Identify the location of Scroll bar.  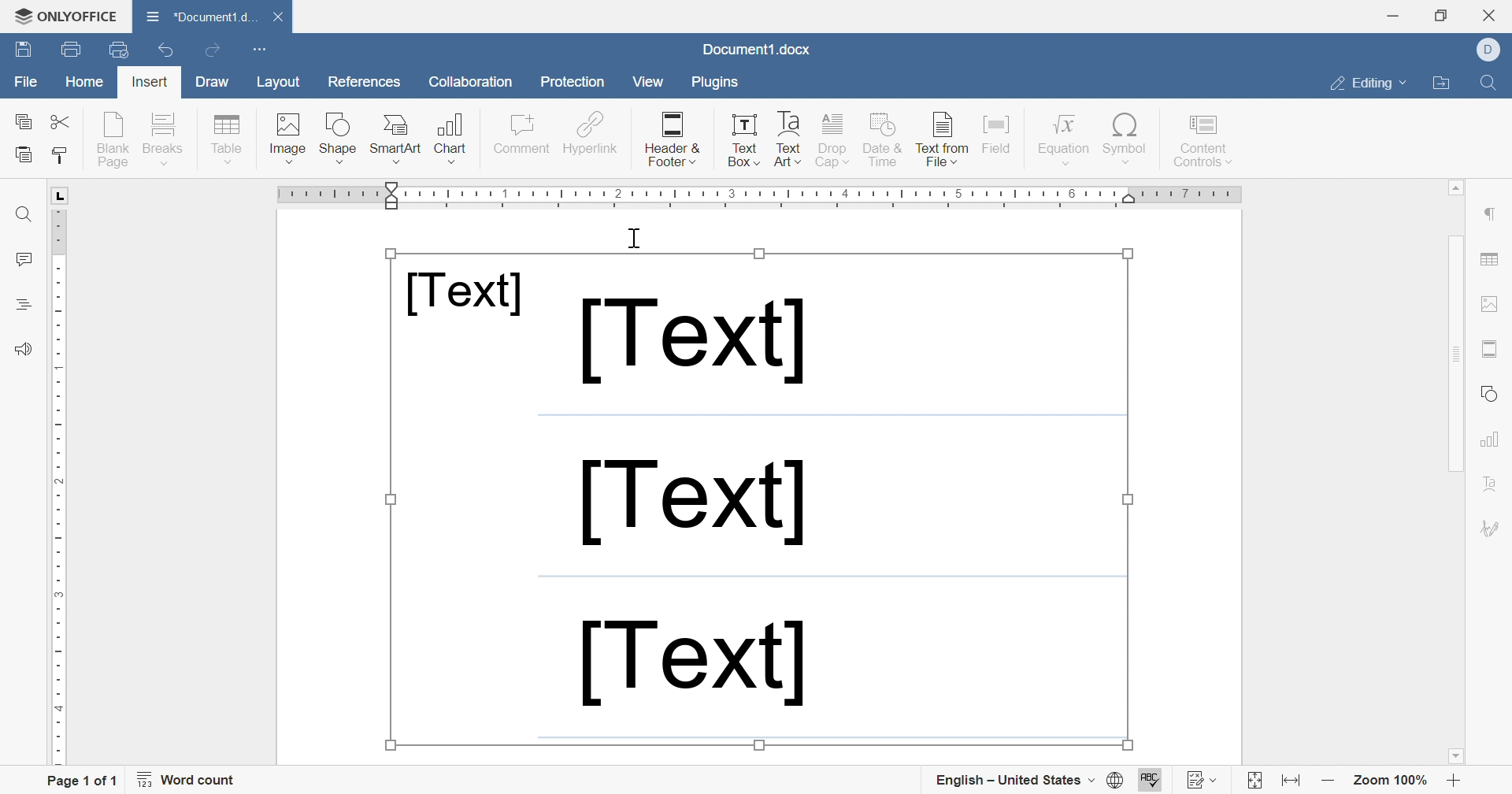
(1462, 443).